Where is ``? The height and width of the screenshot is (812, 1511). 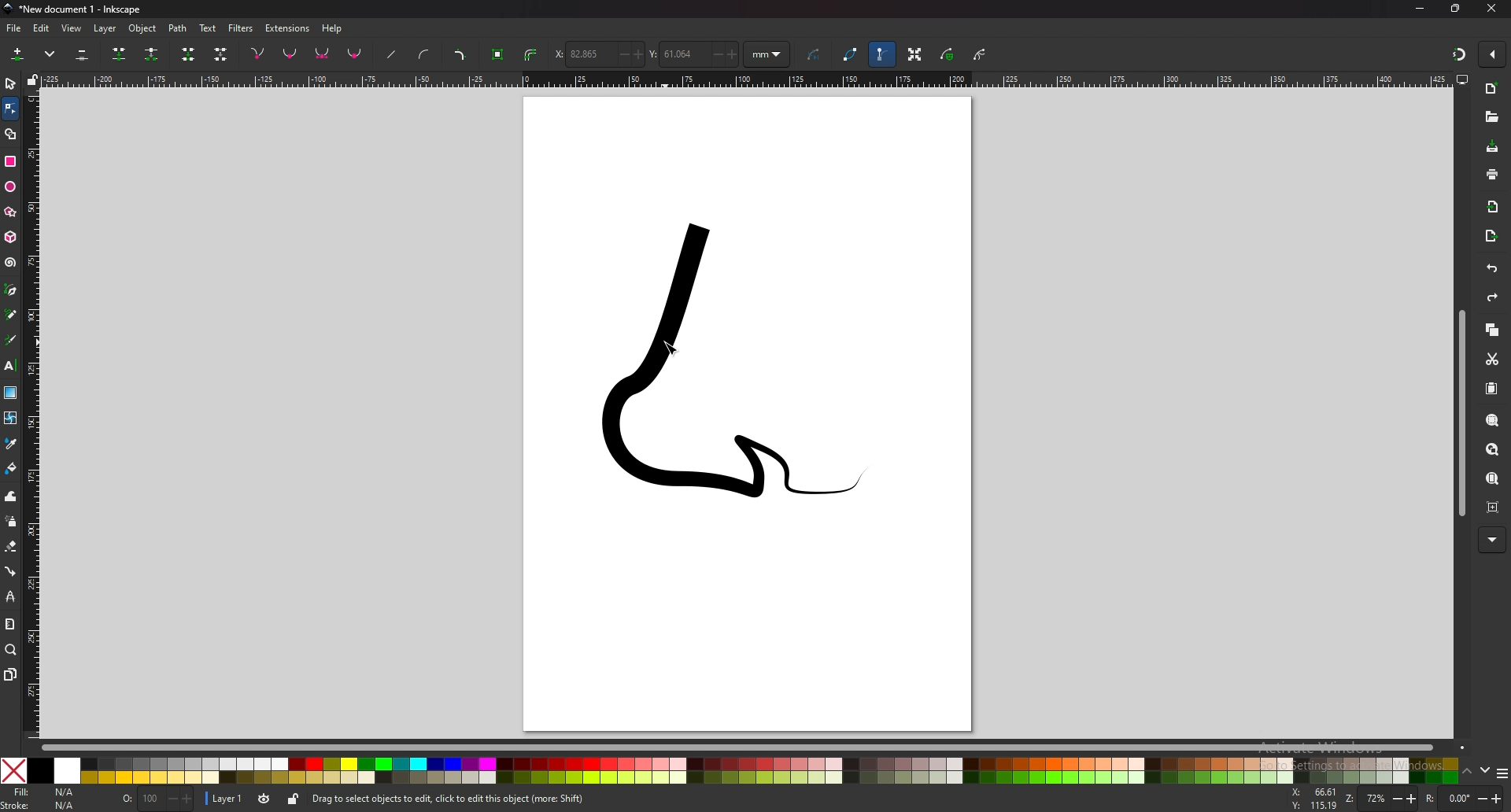  is located at coordinates (1493, 540).